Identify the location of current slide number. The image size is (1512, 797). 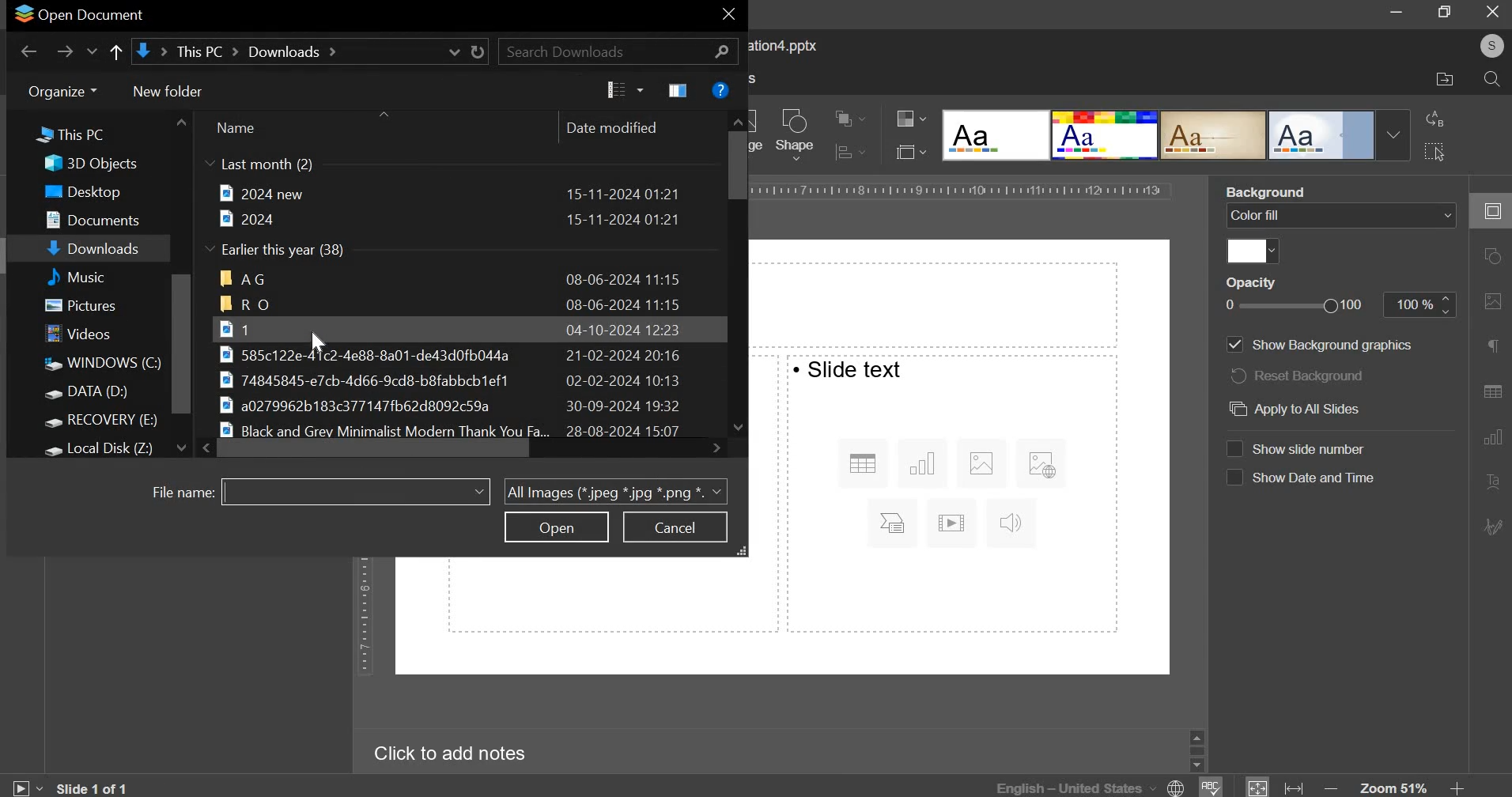
(96, 788).